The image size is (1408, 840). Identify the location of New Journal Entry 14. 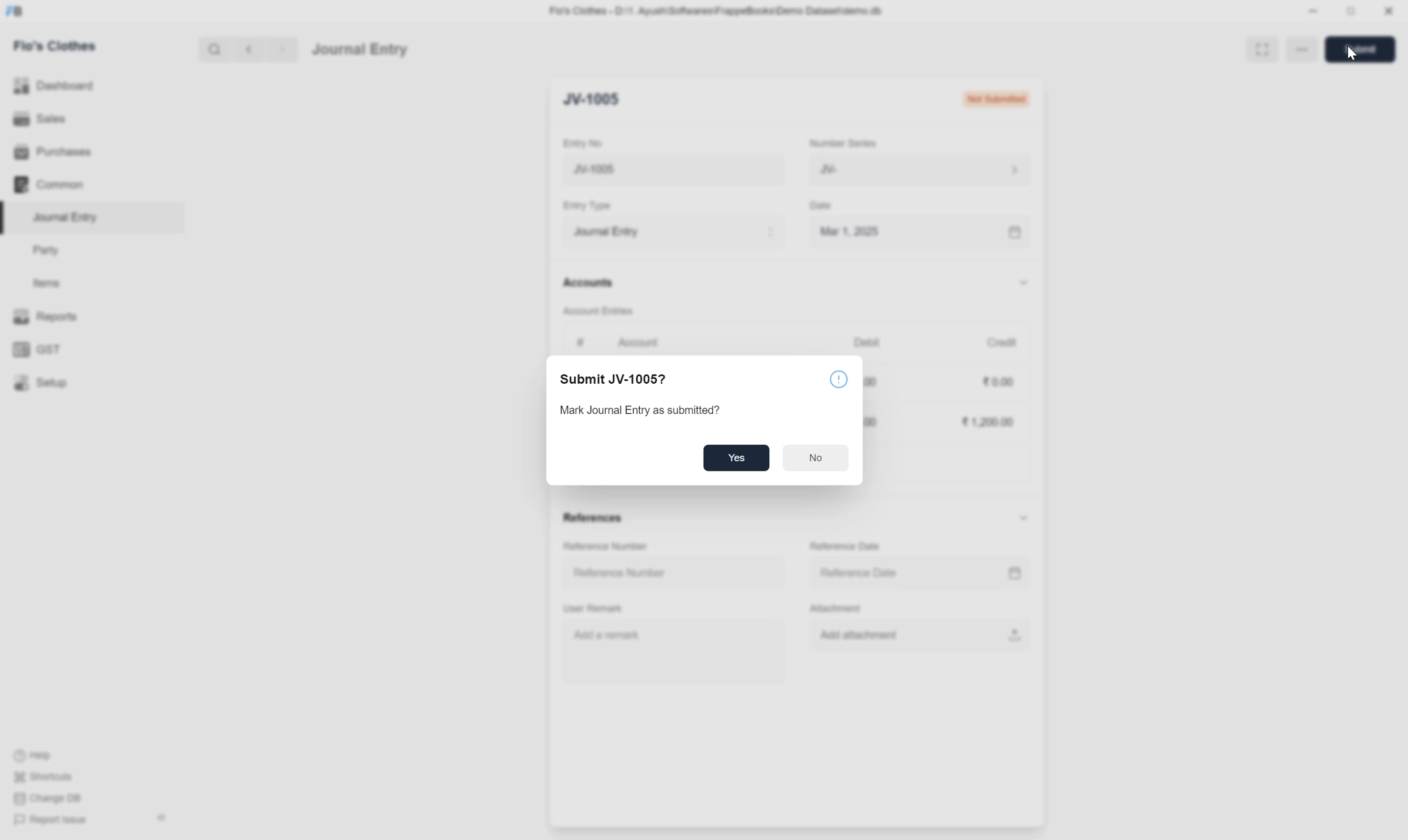
(646, 170).